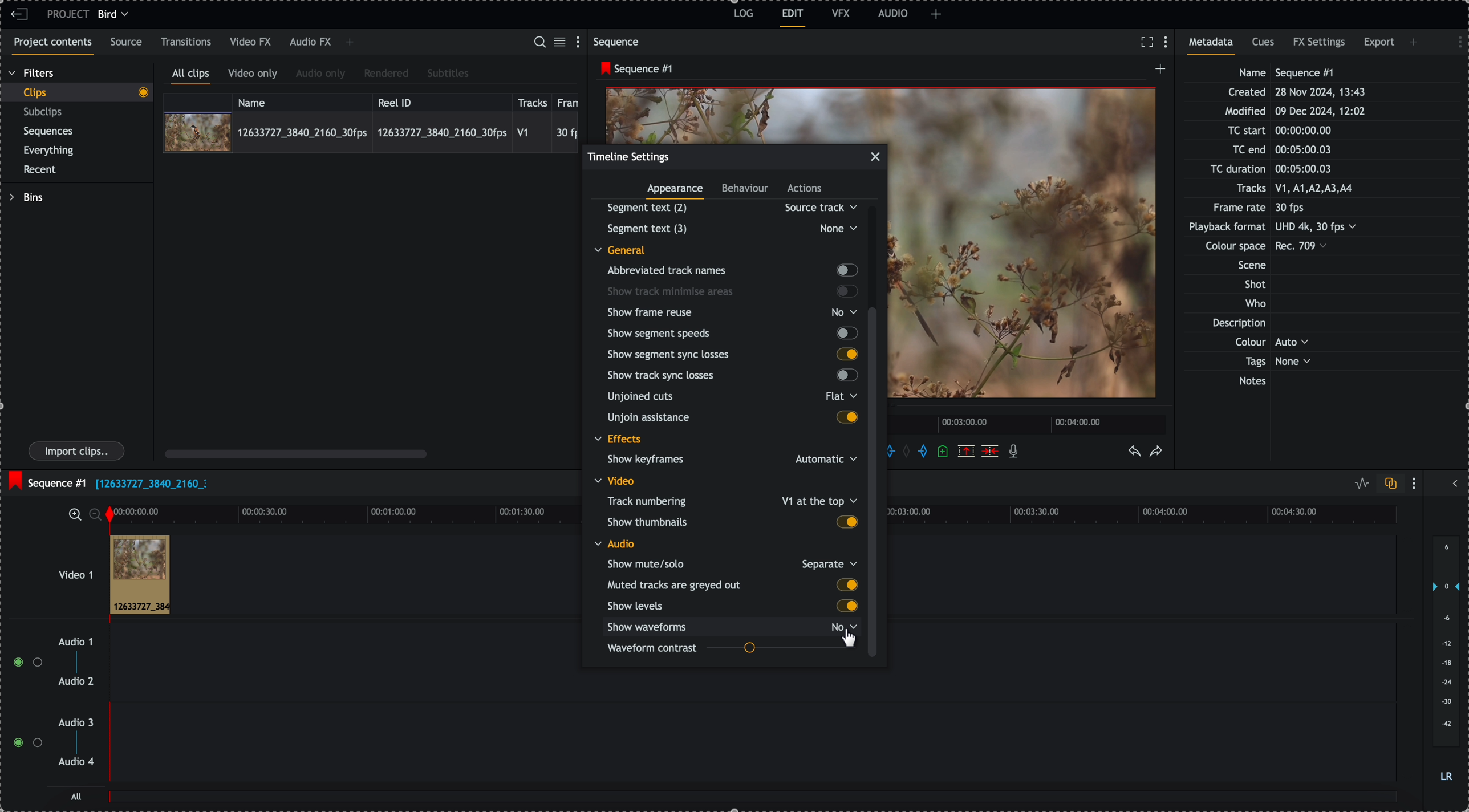 This screenshot has height=812, width=1469. Describe the element at coordinates (1027, 250) in the screenshot. I see `picture` at that location.